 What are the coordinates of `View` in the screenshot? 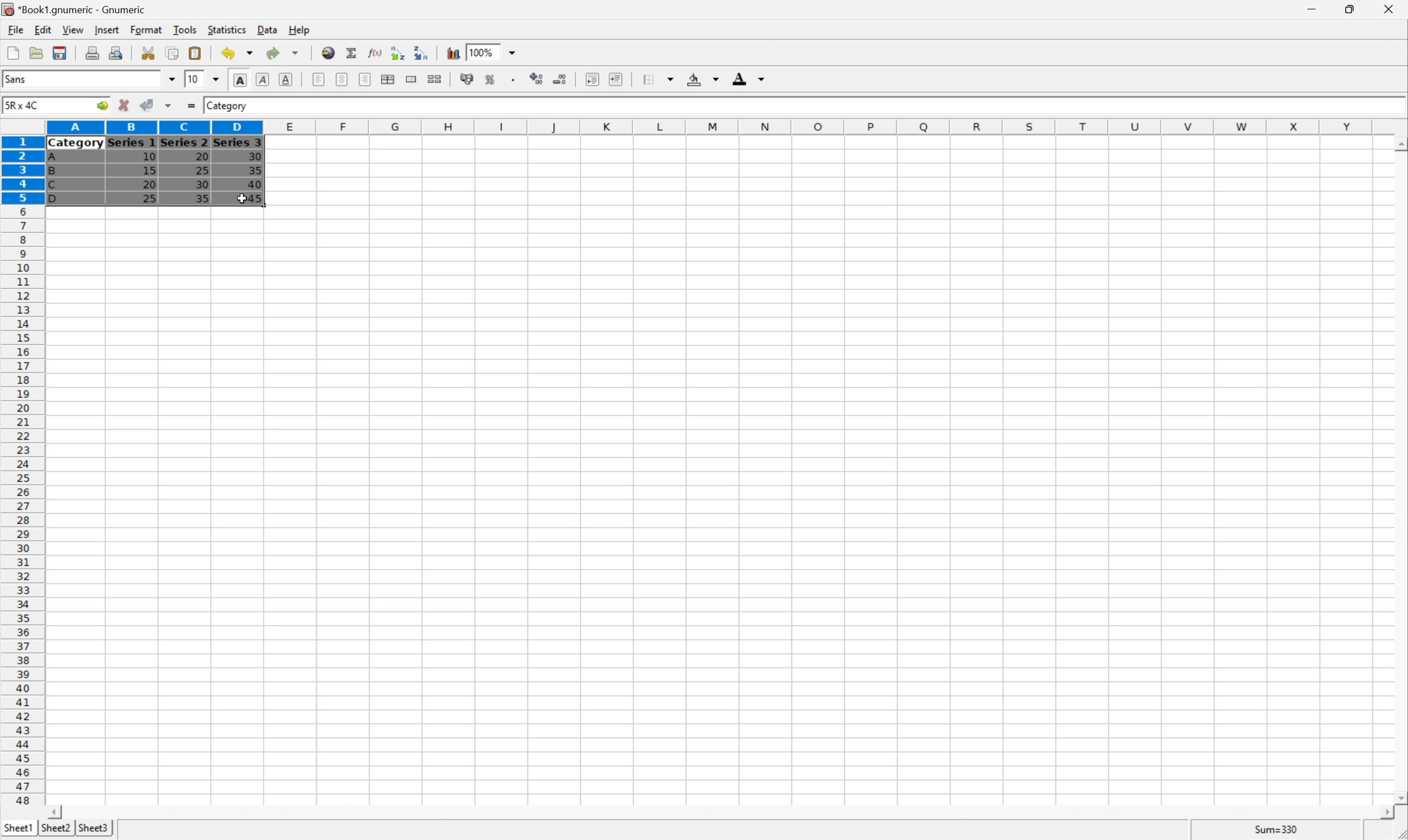 It's located at (73, 29).